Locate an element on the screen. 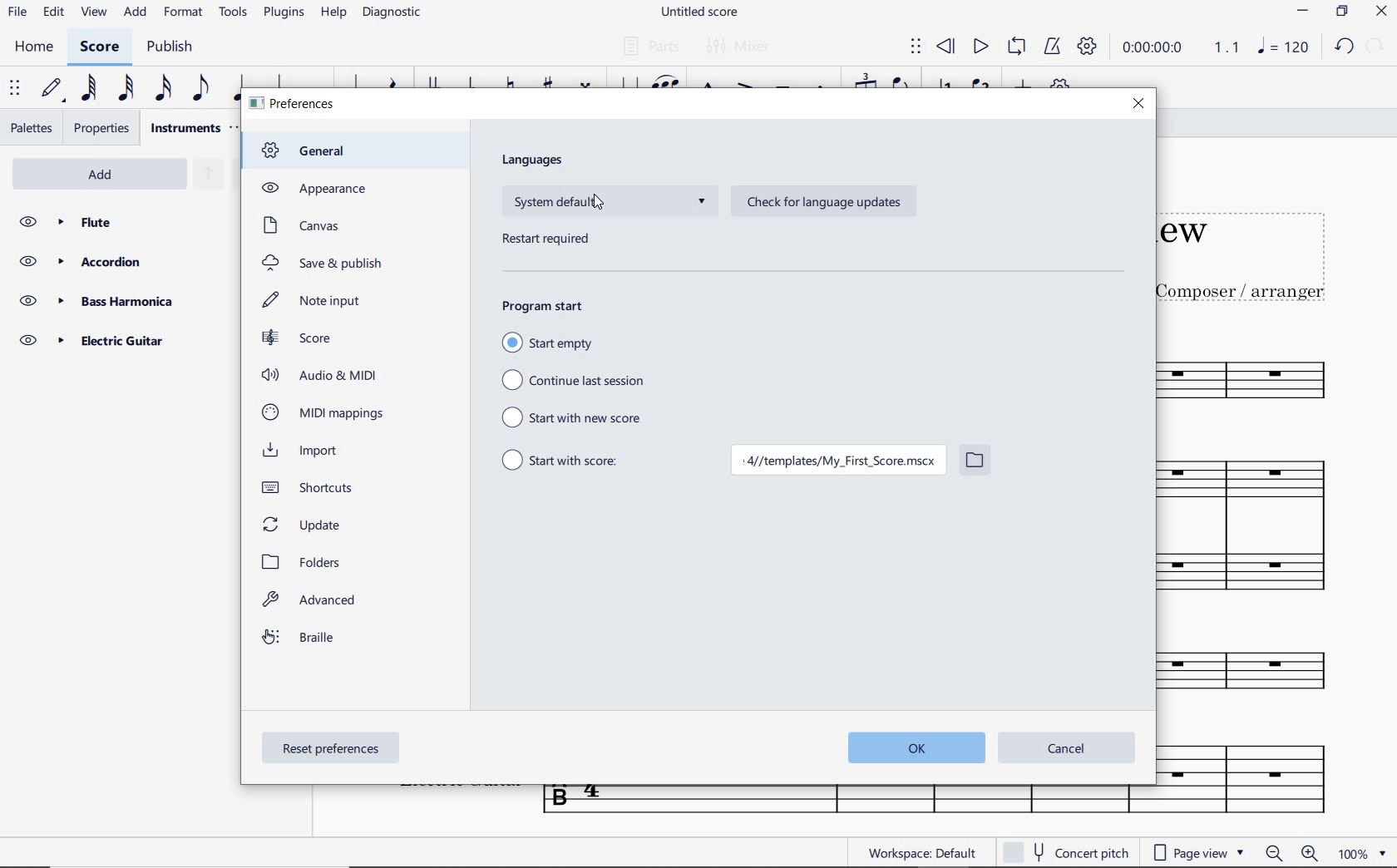 Image resolution: width=1397 pixels, height=868 pixels. zoom factor is located at coordinates (1358, 853).